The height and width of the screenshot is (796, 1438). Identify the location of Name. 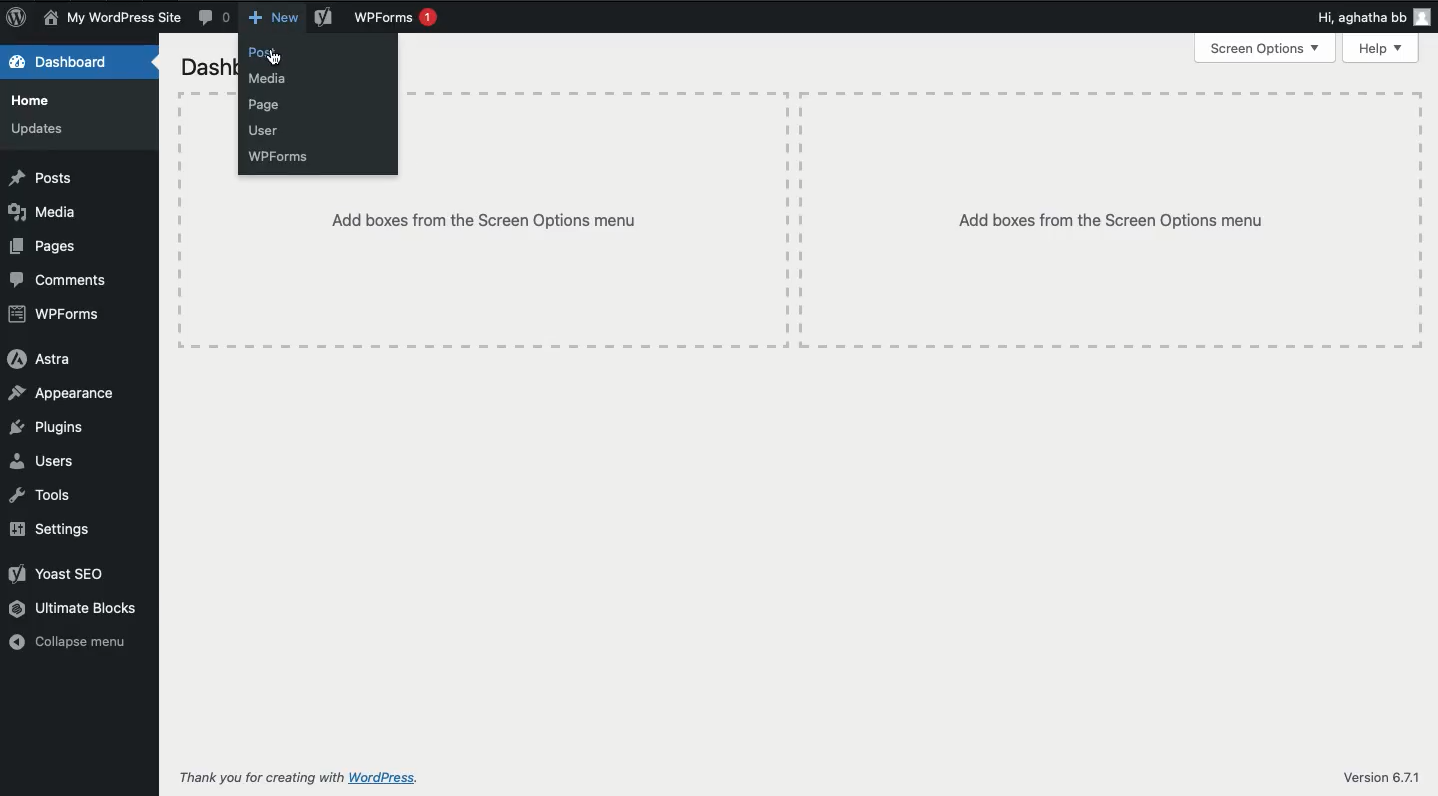
(111, 18).